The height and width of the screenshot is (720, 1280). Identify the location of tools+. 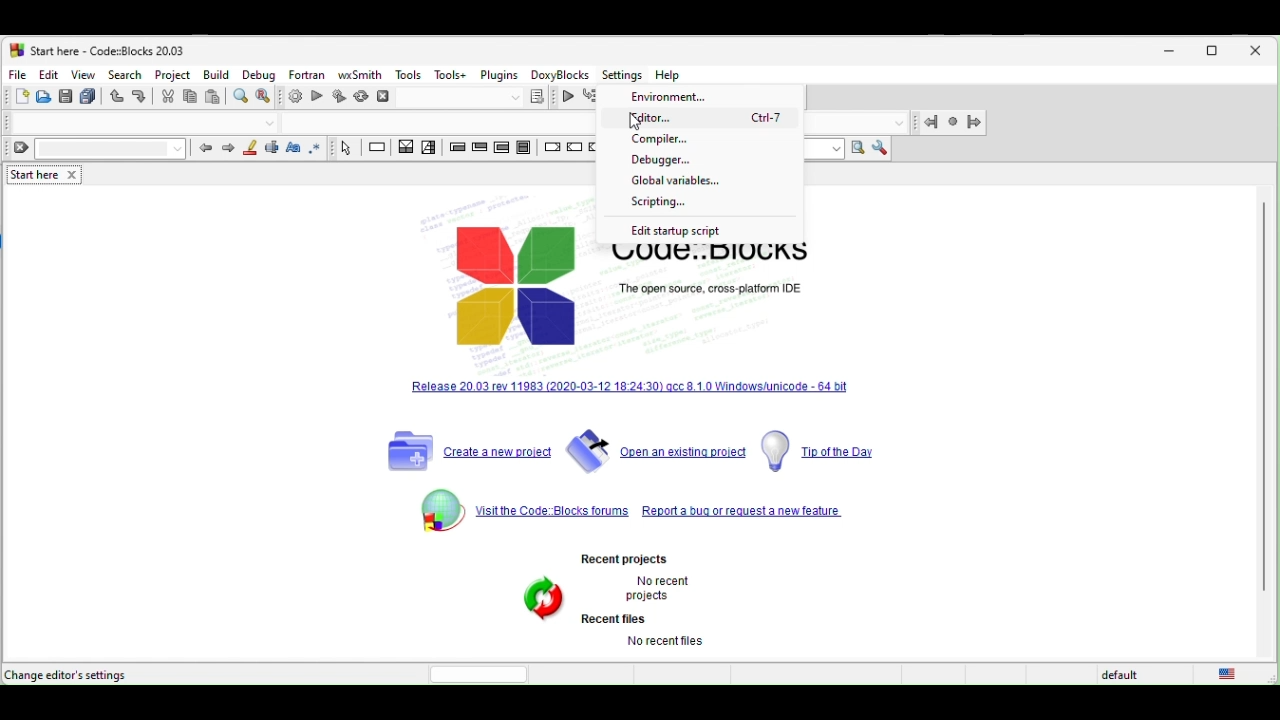
(452, 74).